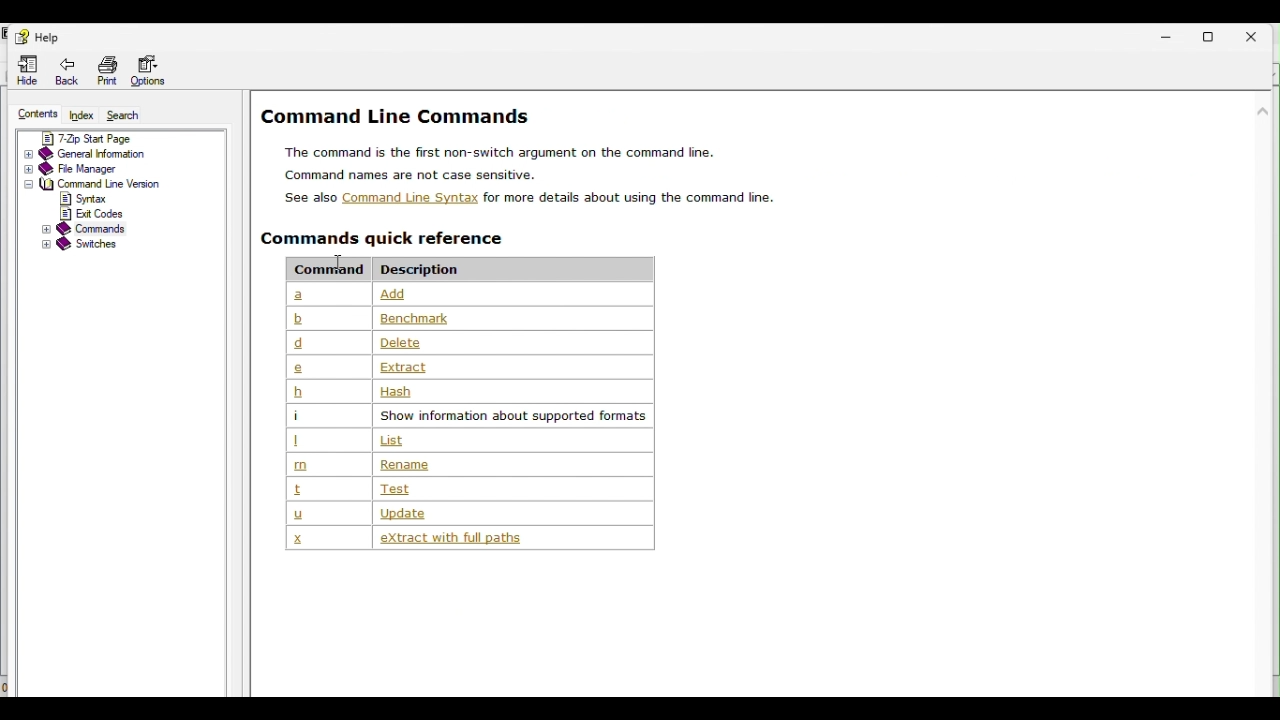 This screenshot has width=1280, height=720. Describe the element at coordinates (302, 466) in the screenshot. I see `m` at that location.